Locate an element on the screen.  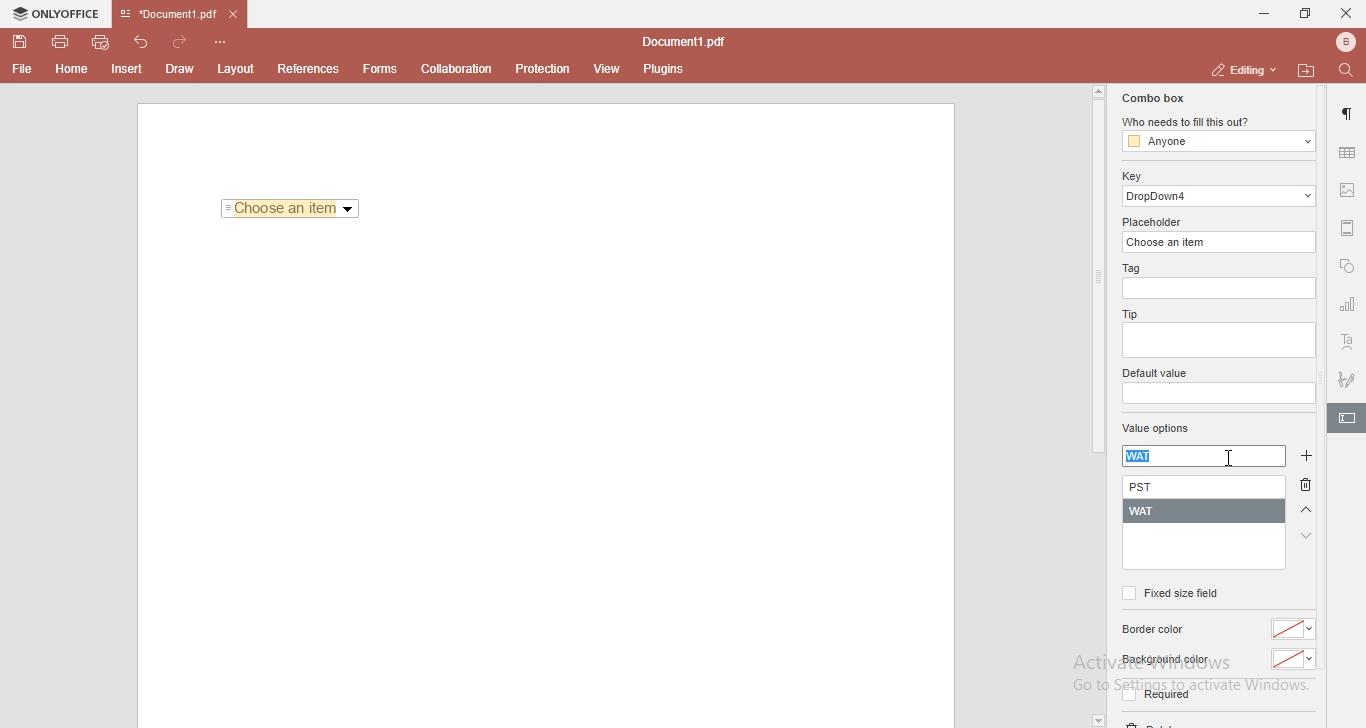
Insert is located at coordinates (127, 70).